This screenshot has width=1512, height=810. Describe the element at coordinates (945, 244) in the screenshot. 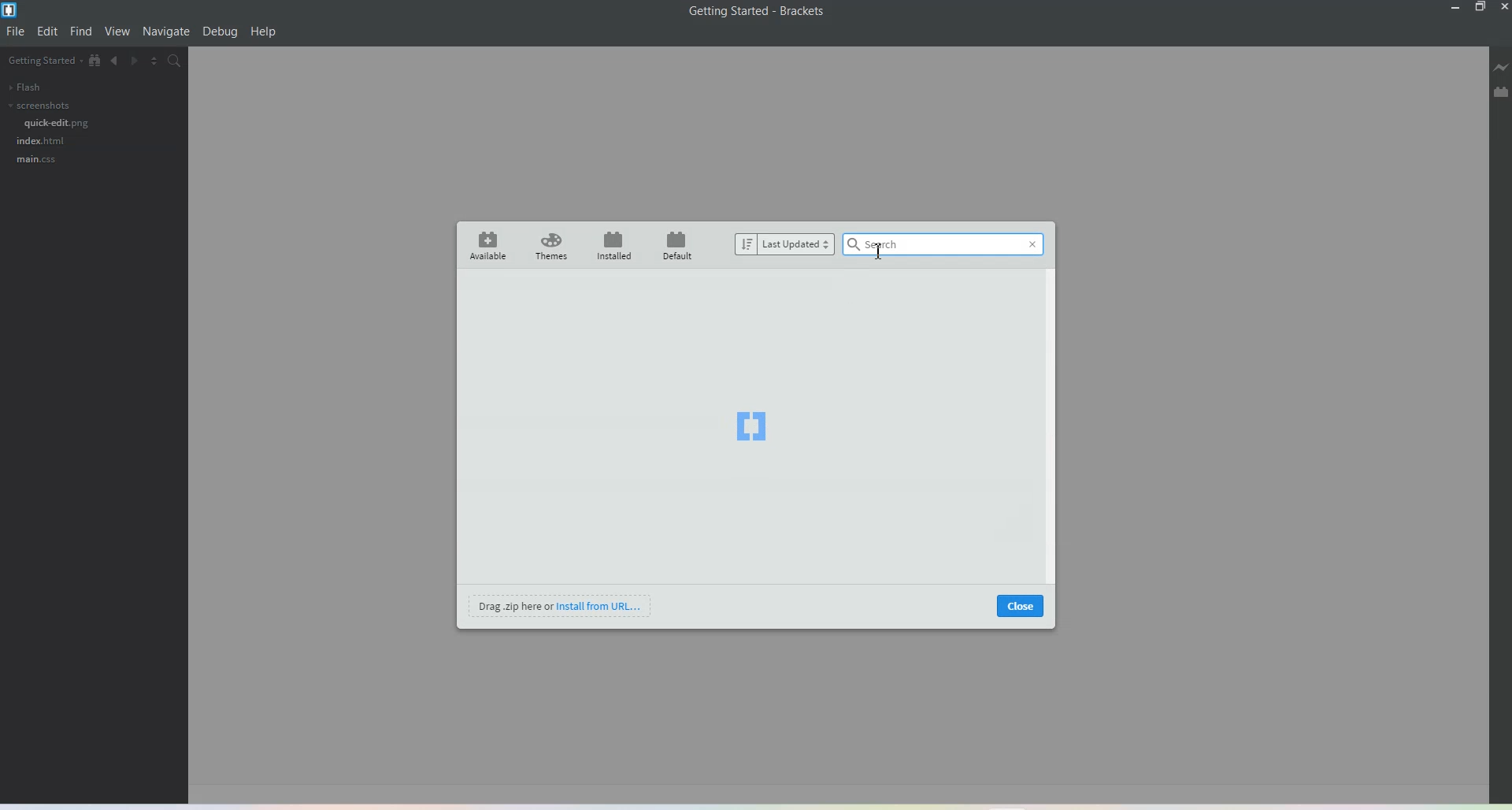

I see `Search Bar` at that location.